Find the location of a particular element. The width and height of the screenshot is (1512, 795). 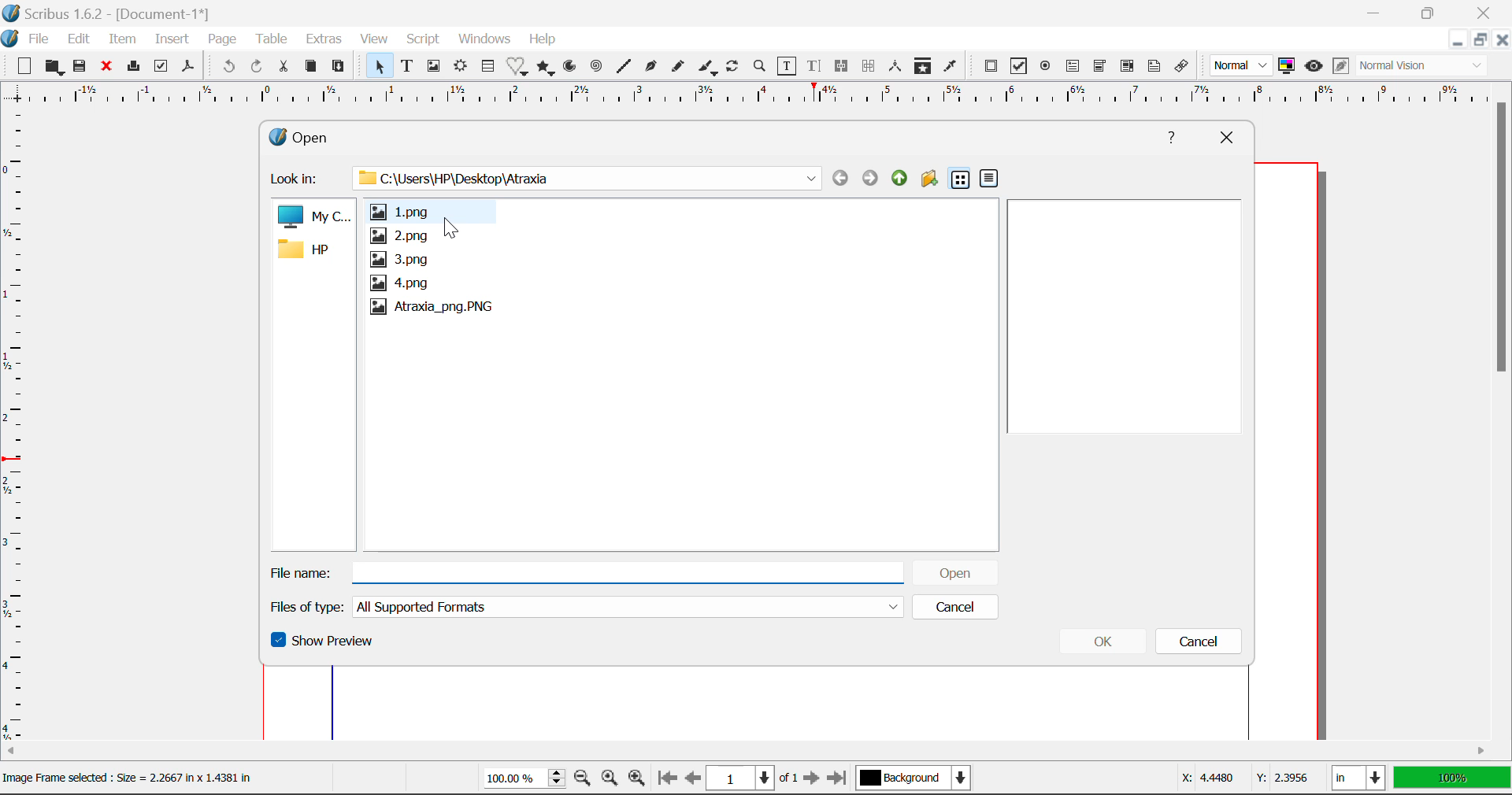

My Computer is located at coordinates (313, 217).